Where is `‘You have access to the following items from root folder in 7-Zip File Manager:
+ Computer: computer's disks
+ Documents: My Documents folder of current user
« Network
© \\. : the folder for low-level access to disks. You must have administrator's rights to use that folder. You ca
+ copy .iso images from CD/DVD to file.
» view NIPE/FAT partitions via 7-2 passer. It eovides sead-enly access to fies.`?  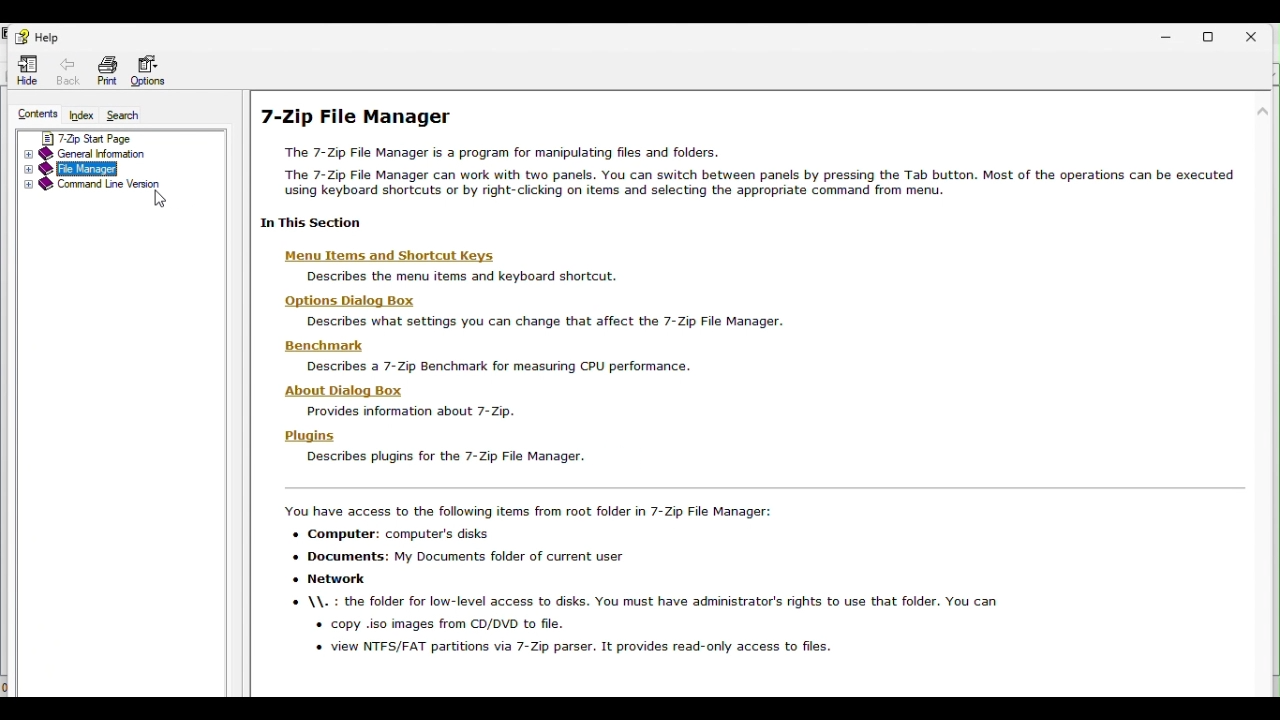 ‘You have access to the following items from root folder in 7-Zip File Manager:
+ Computer: computer's disks
+ Documents: My Documents folder of current user
« Network
© \\. : the folder for low-level access to disks. You must have administrator's rights to use that folder. You ca
+ copy .iso images from CD/DVD to file.
» view NIPE/FAT partitions via 7-2 passer. It eovides sead-enly access to fies. is located at coordinates (635, 579).